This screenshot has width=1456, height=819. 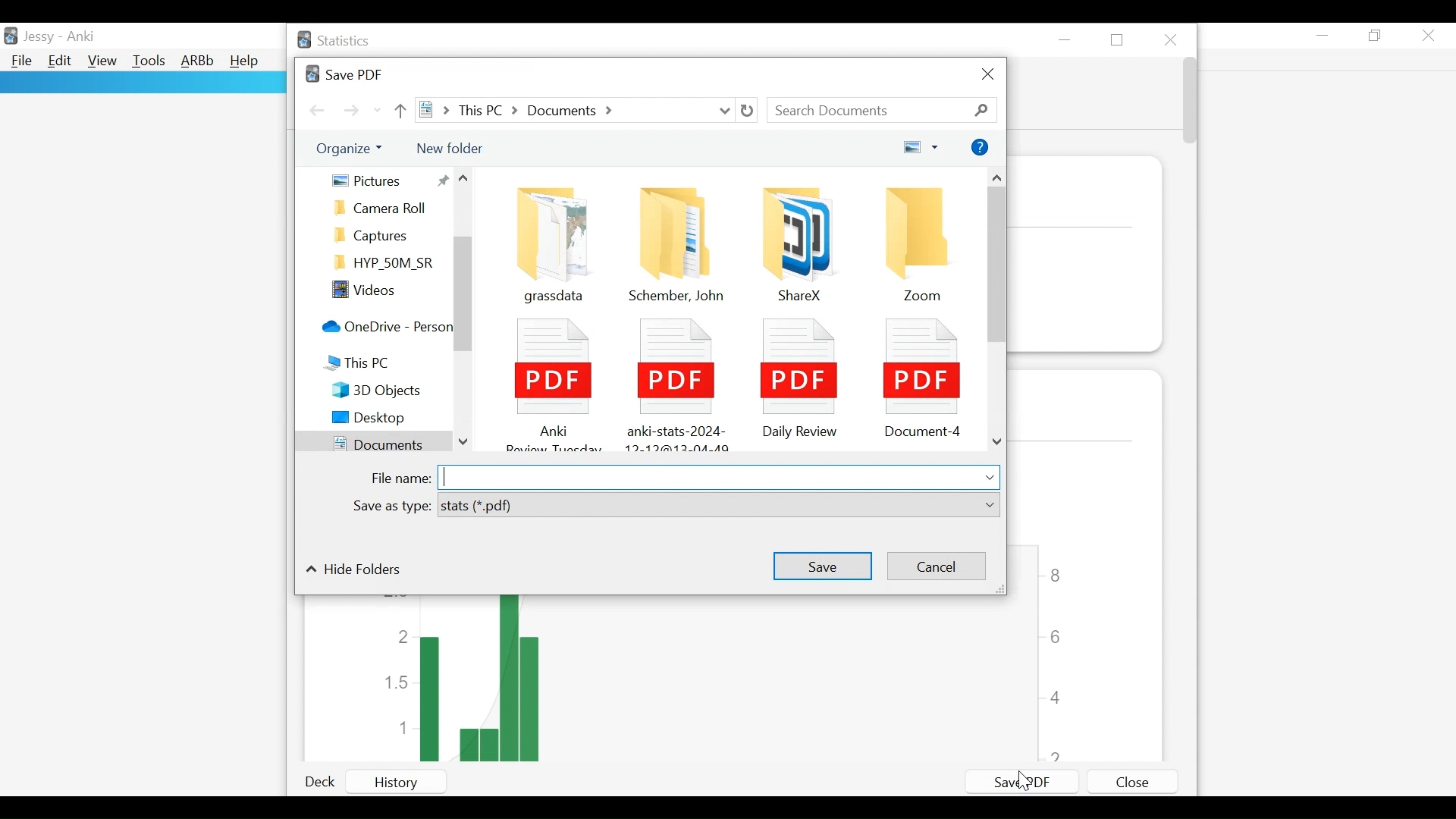 What do you see at coordinates (1377, 36) in the screenshot?
I see `Restore` at bounding box center [1377, 36].